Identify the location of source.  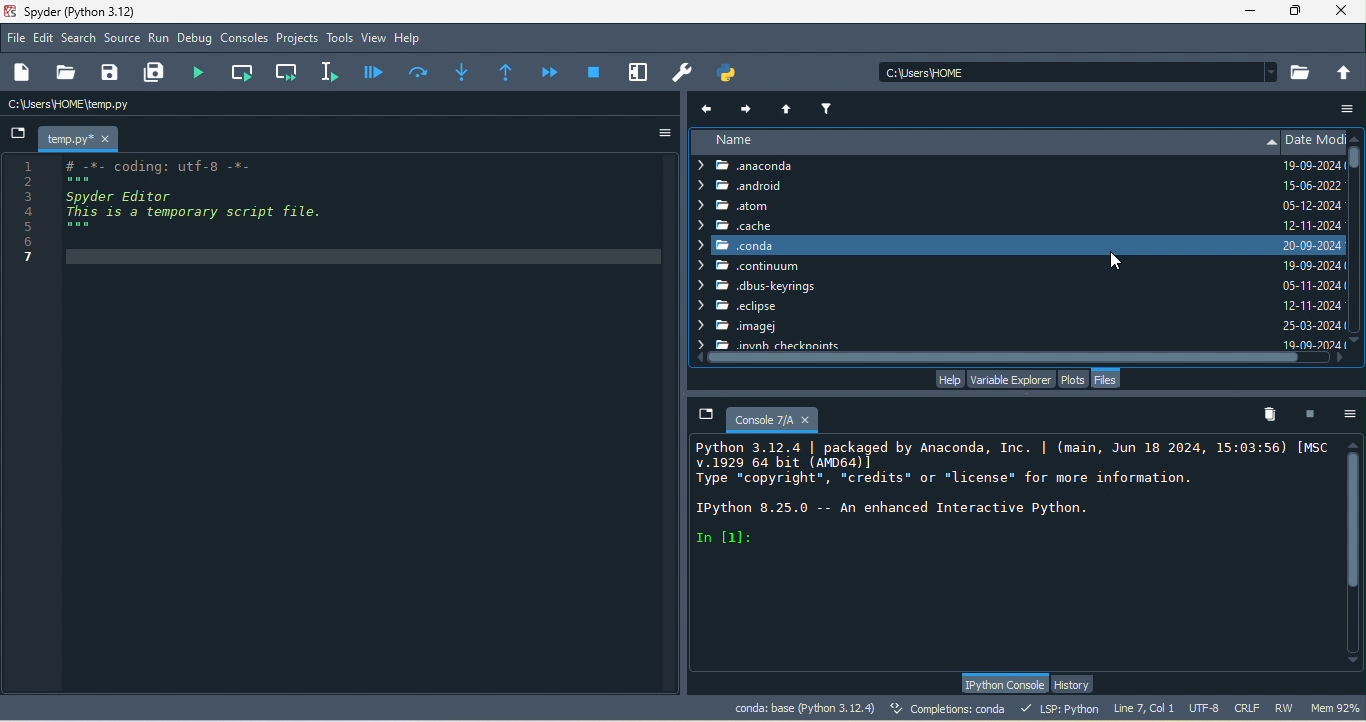
(123, 40).